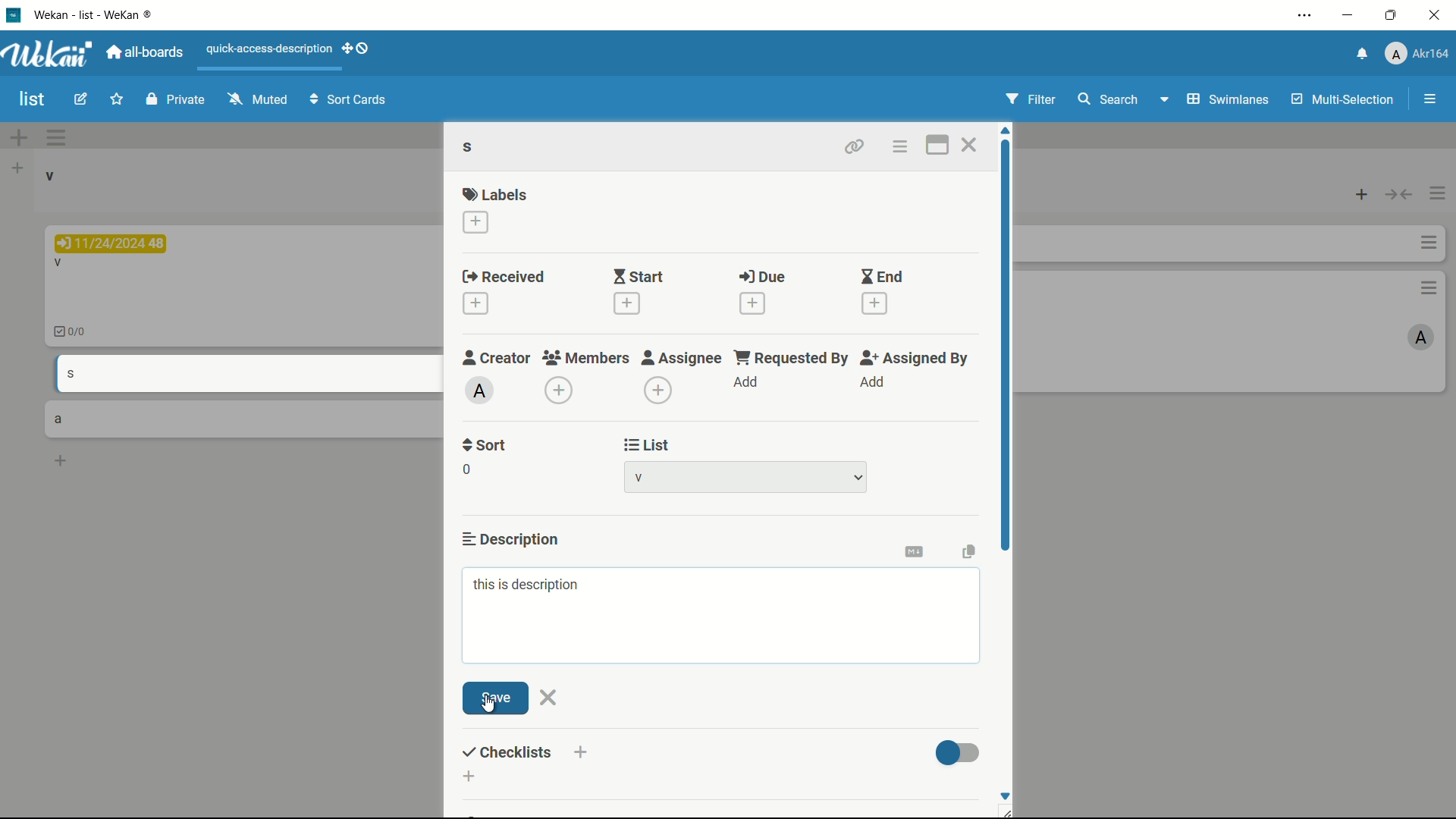 The height and width of the screenshot is (819, 1456). Describe the element at coordinates (144, 52) in the screenshot. I see `all boards` at that location.